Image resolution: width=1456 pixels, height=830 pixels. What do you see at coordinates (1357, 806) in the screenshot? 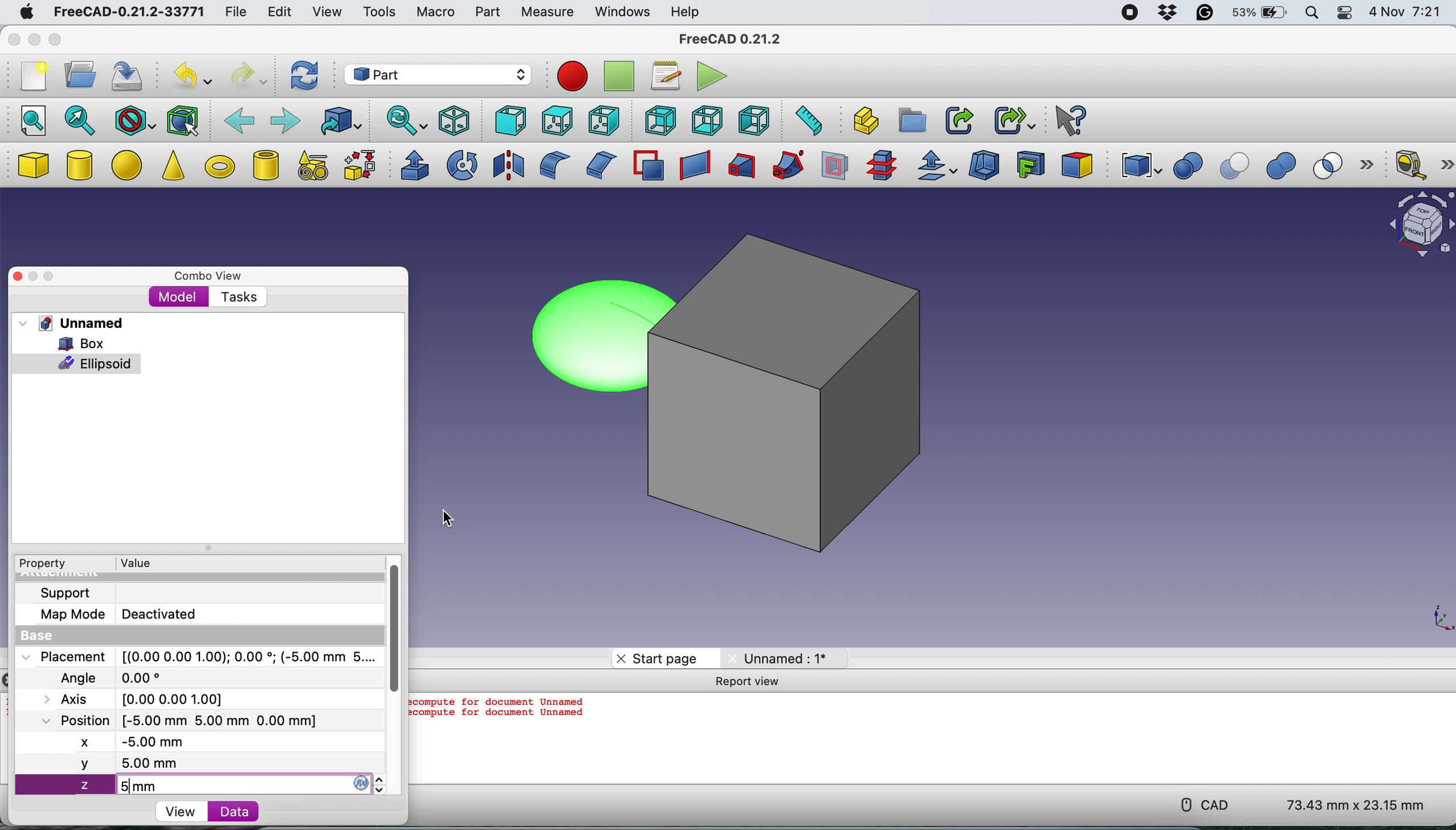
I see `73.43 mm x 23.15 mm` at bounding box center [1357, 806].